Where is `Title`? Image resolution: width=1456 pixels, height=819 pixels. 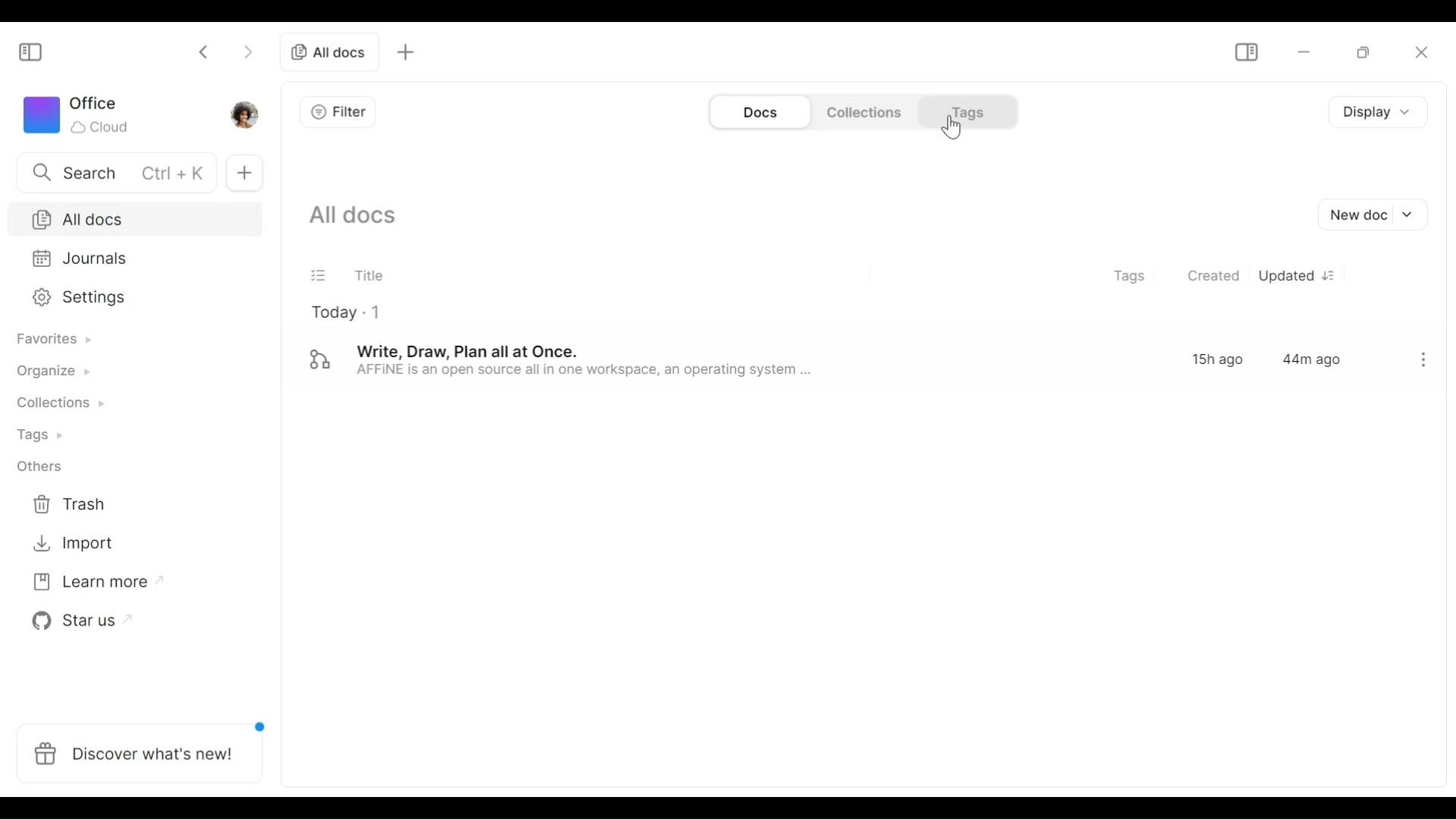 Title is located at coordinates (379, 275).